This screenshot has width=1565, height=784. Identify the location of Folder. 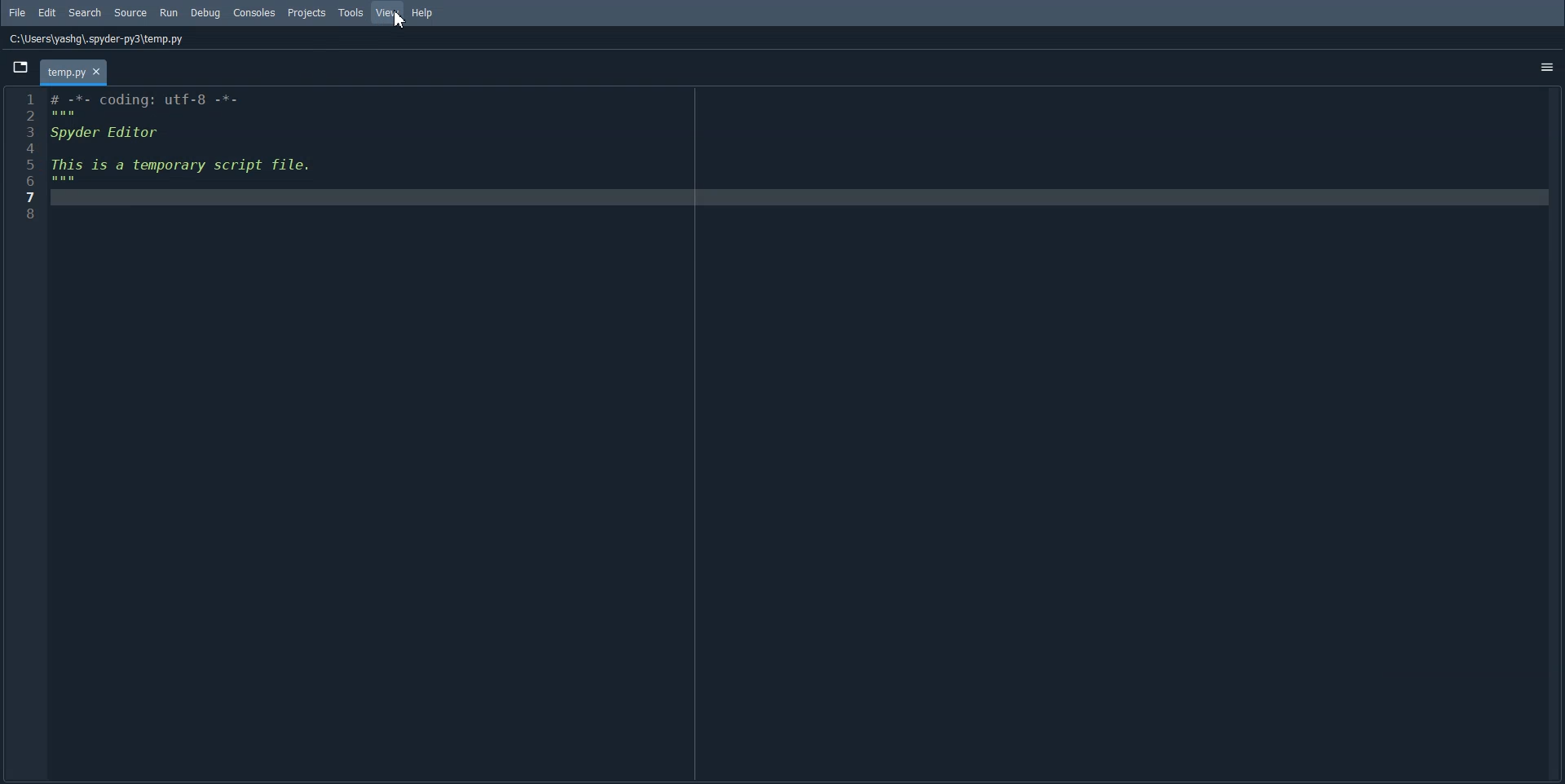
(73, 72).